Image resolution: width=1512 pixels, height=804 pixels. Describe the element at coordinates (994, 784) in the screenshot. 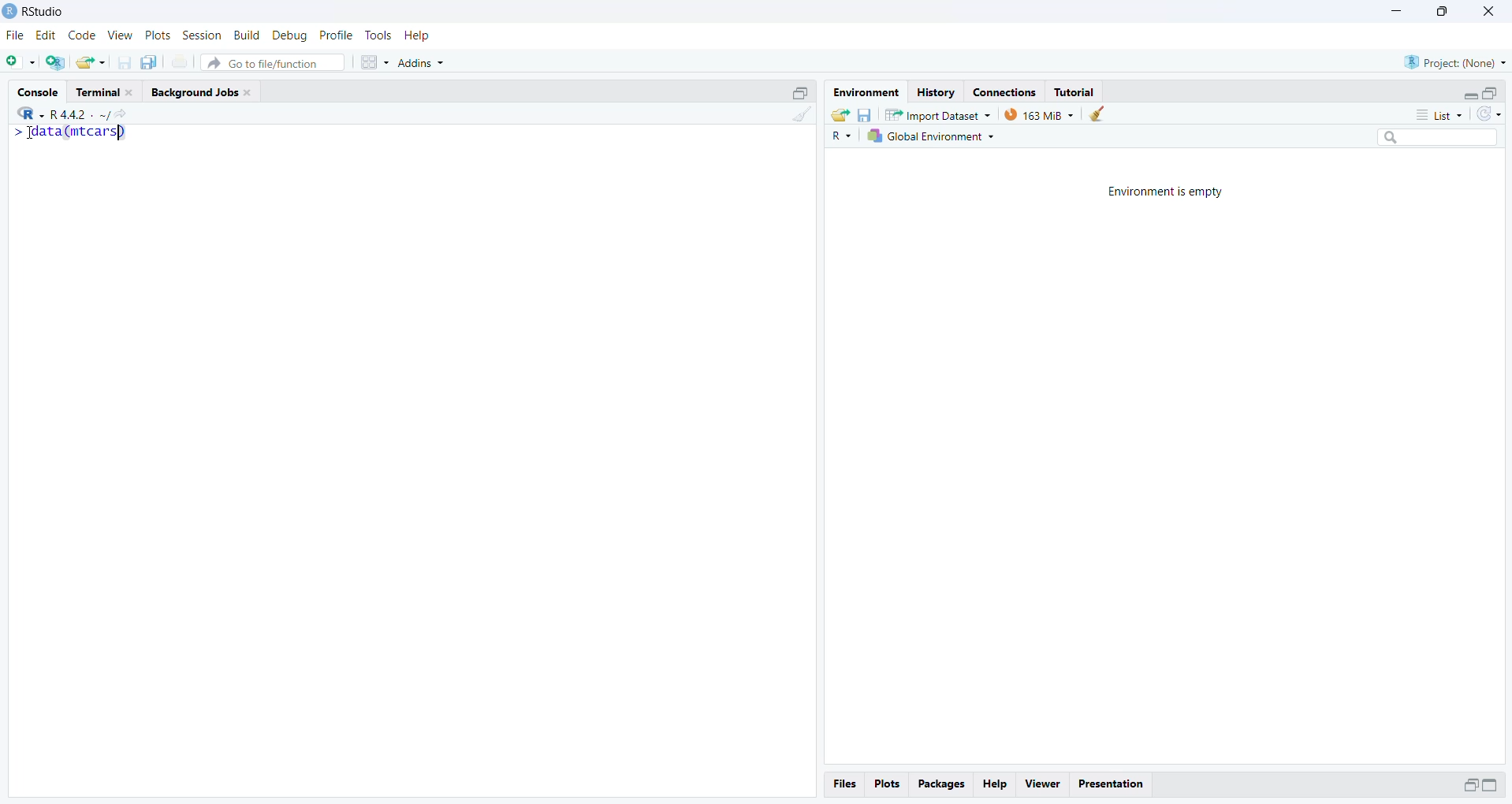

I see `help` at that location.